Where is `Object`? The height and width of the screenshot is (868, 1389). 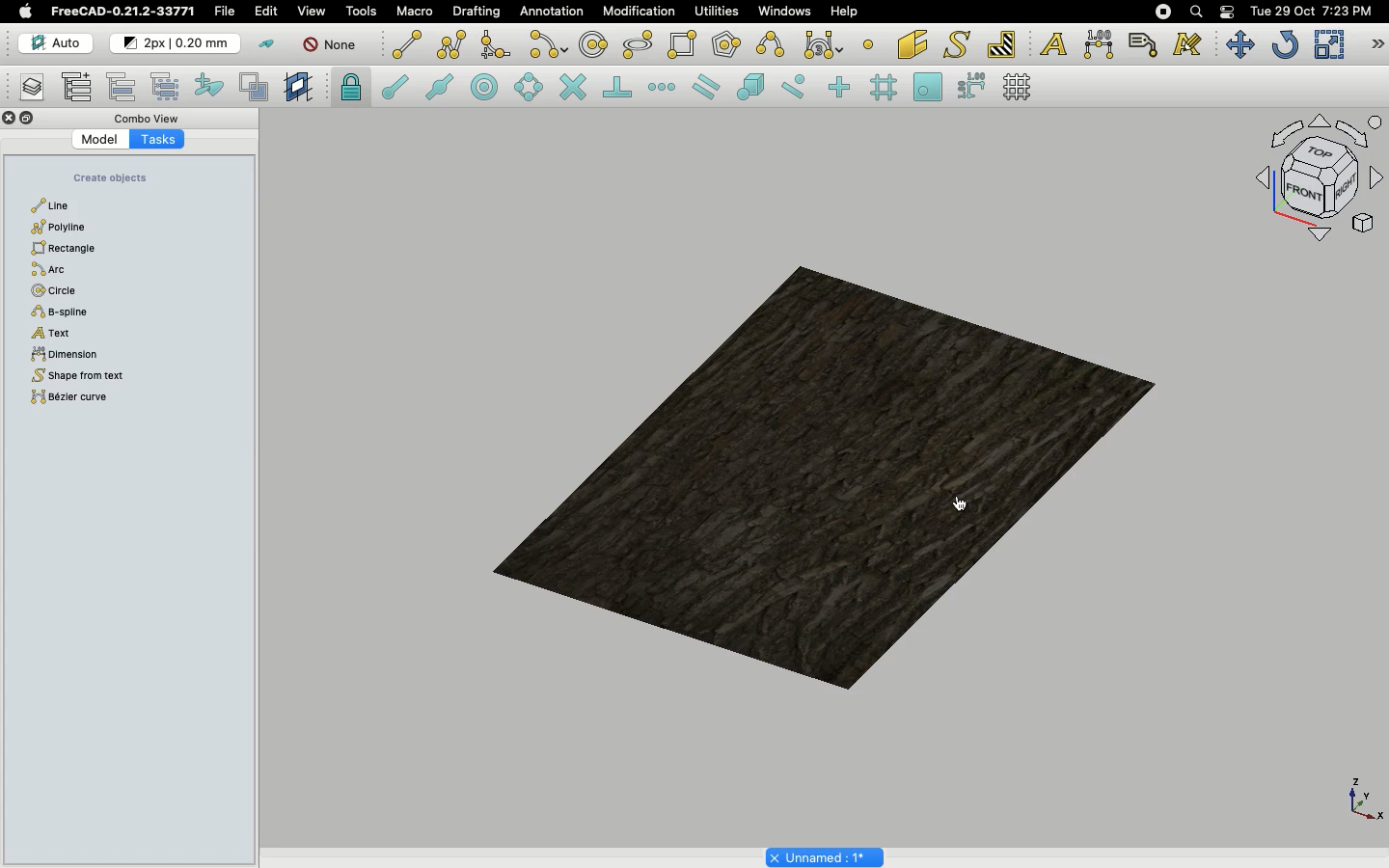
Object is located at coordinates (832, 452).